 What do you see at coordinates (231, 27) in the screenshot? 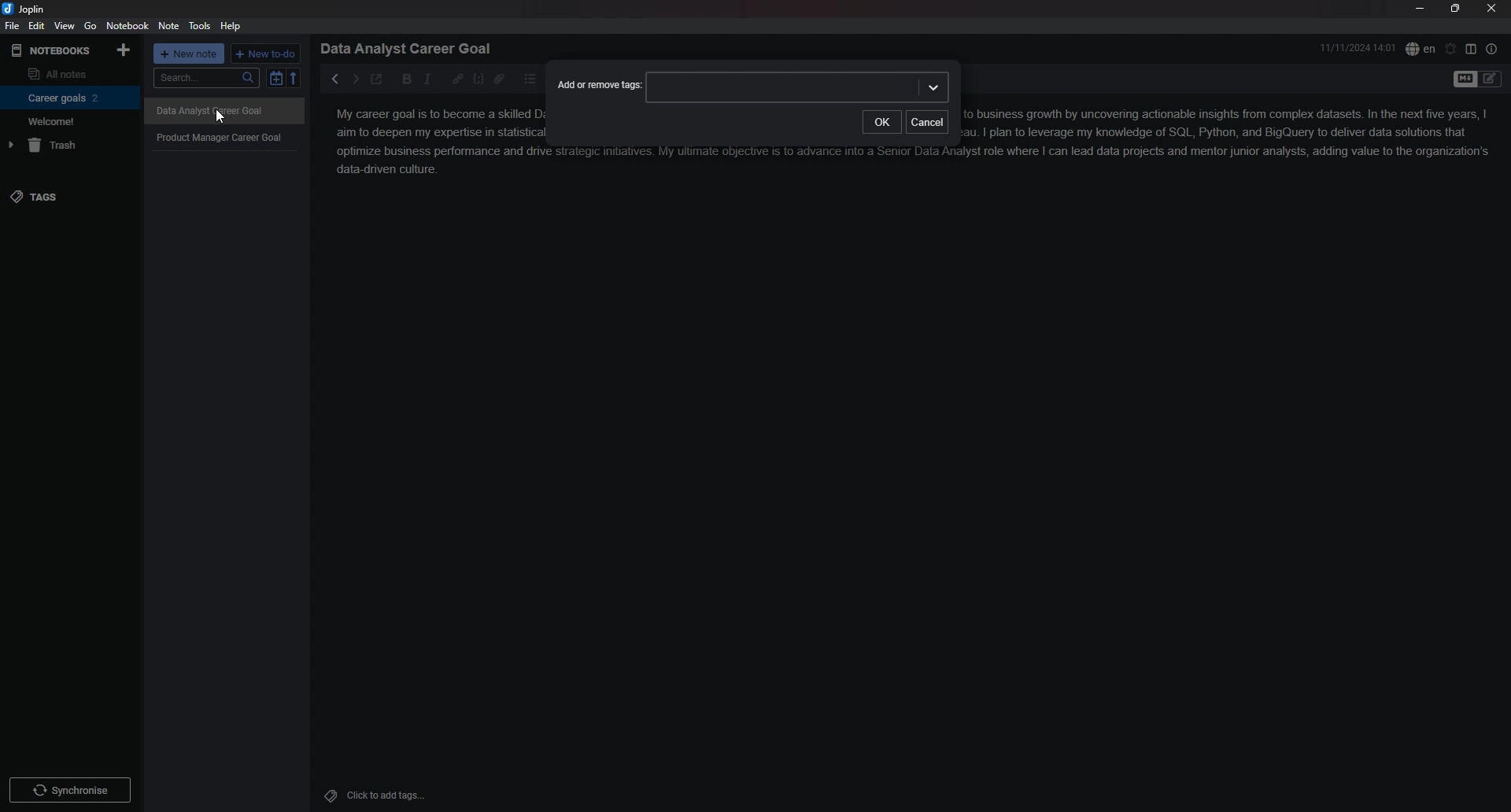
I see `help` at bounding box center [231, 27].